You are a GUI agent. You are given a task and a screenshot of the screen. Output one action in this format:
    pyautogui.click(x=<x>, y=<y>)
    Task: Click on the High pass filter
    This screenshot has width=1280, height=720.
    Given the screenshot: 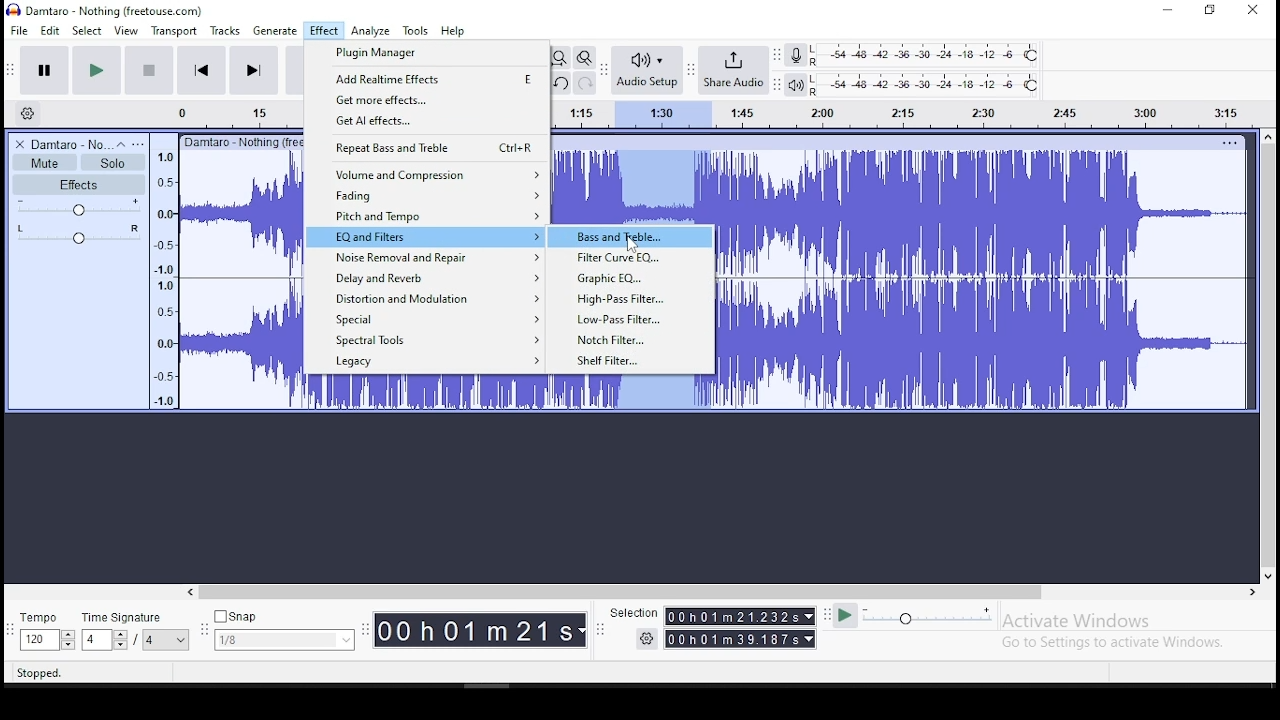 What is the action you would take?
    pyautogui.click(x=634, y=298)
    